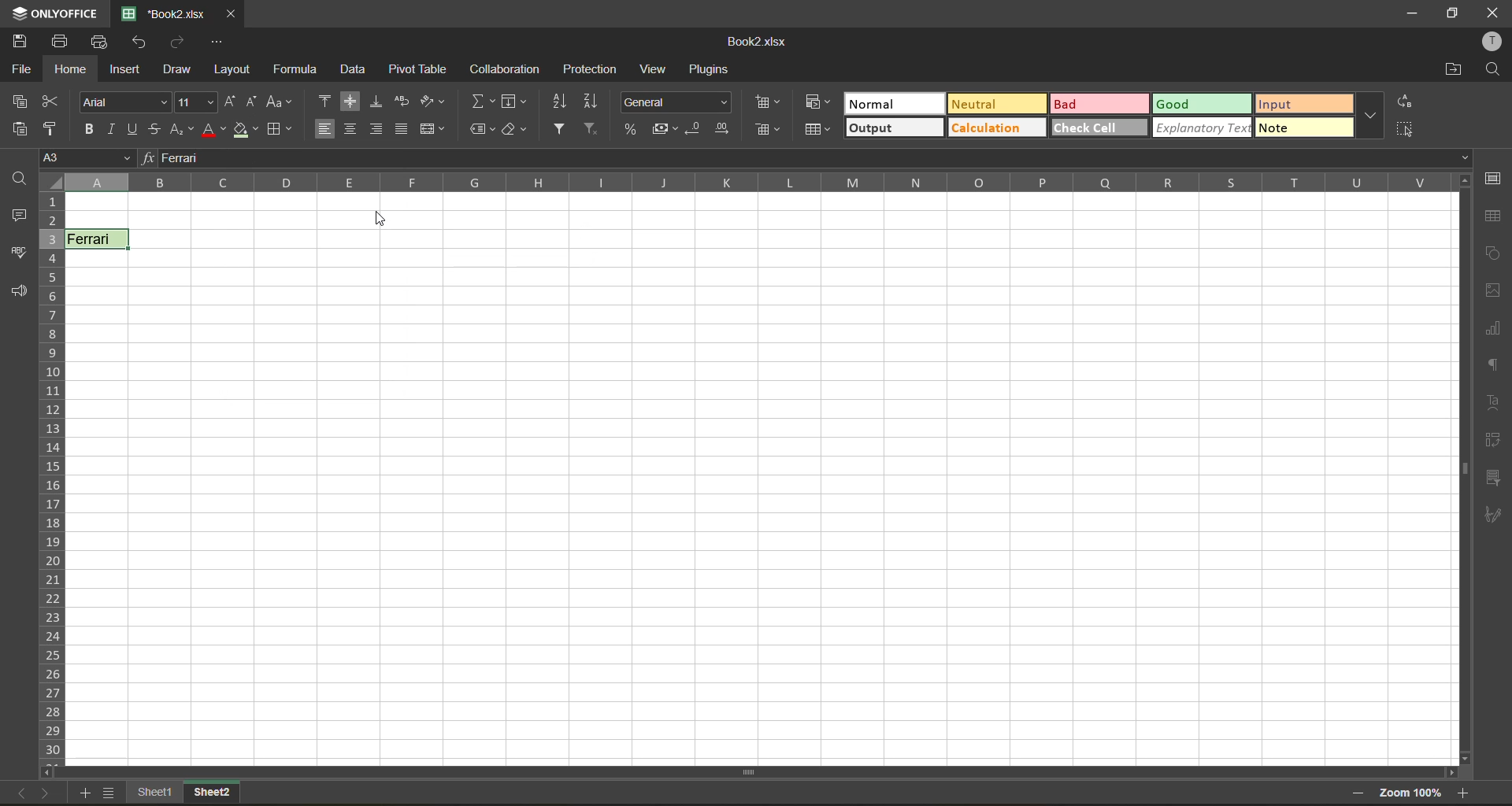  What do you see at coordinates (994, 126) in the screenshot?
I see `calculation` at bounding box center [994, 126].